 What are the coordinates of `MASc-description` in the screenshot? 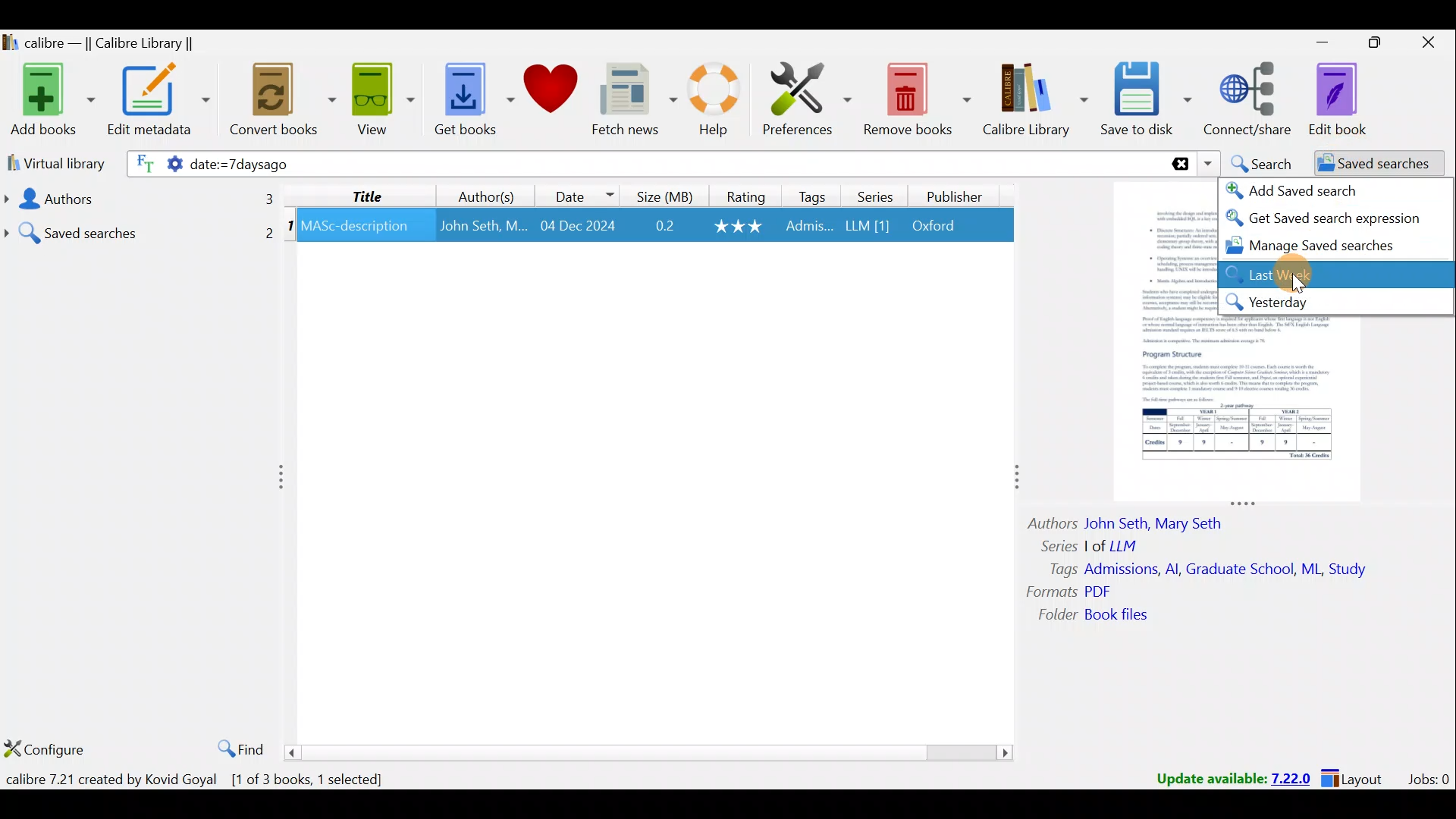 It's located at (356, 228).